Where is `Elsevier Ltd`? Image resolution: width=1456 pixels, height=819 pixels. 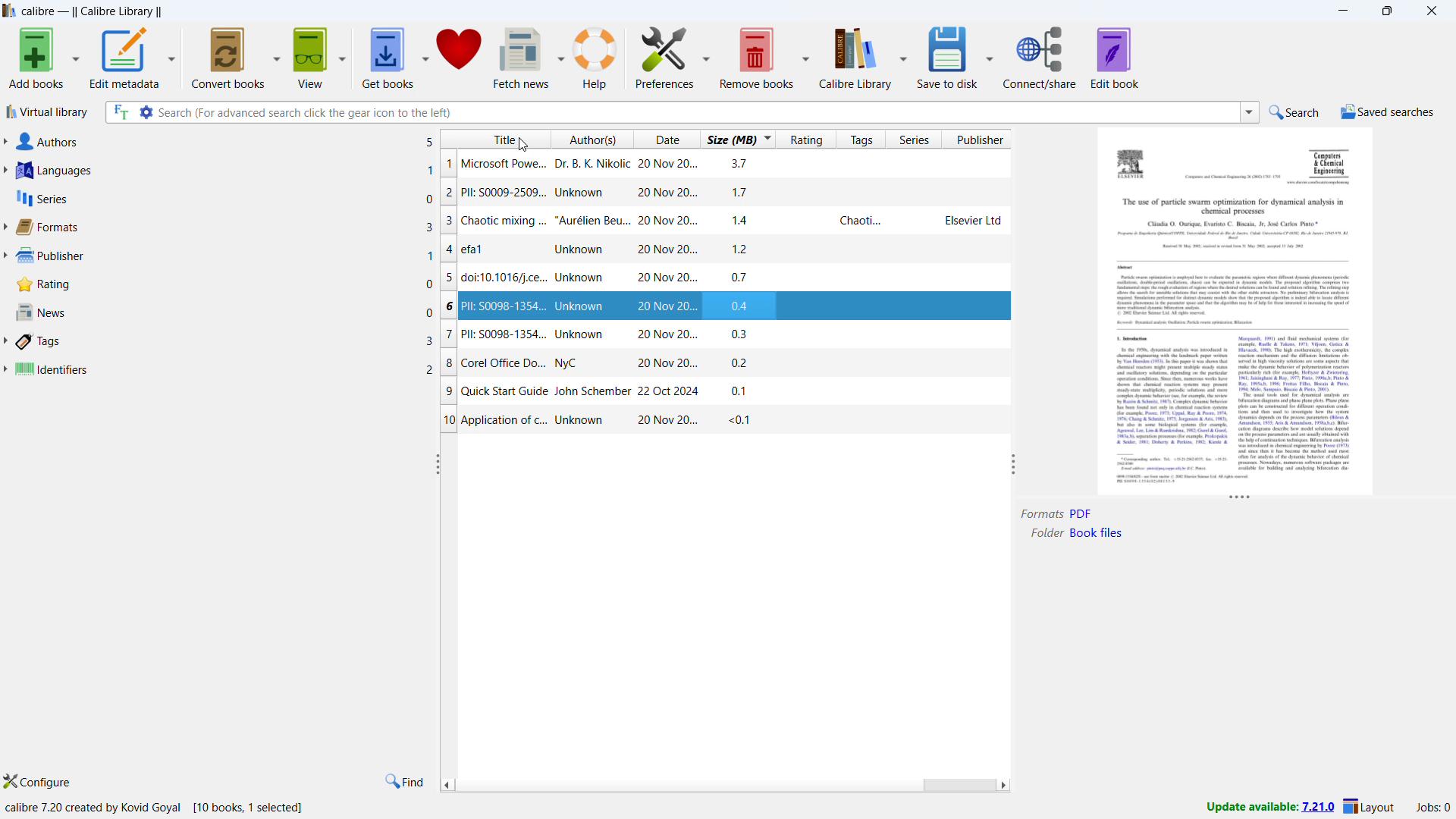
Elsevier Ltd is located at coordinates (974, 221).